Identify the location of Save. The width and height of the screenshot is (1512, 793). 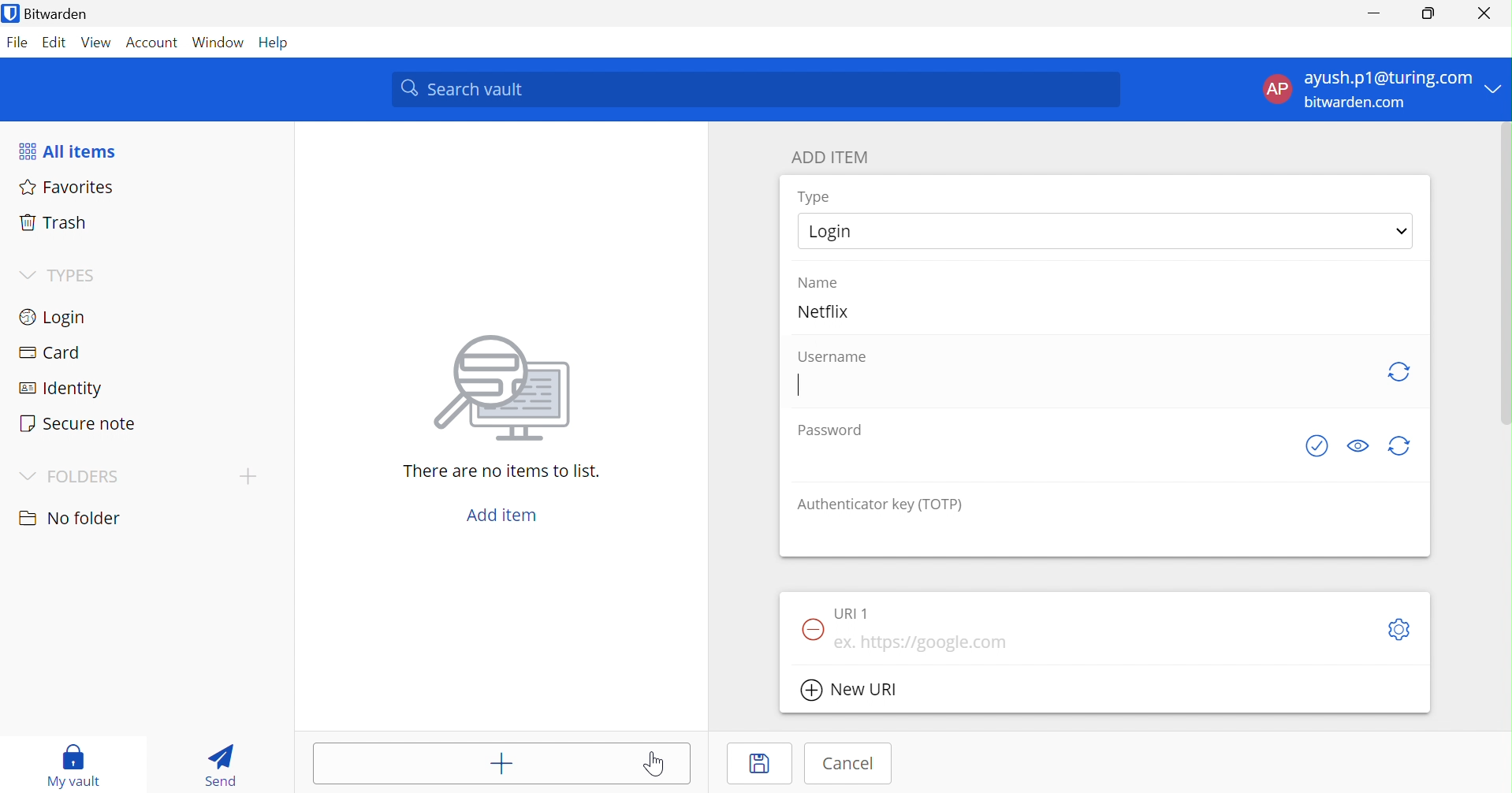
(760, 762).